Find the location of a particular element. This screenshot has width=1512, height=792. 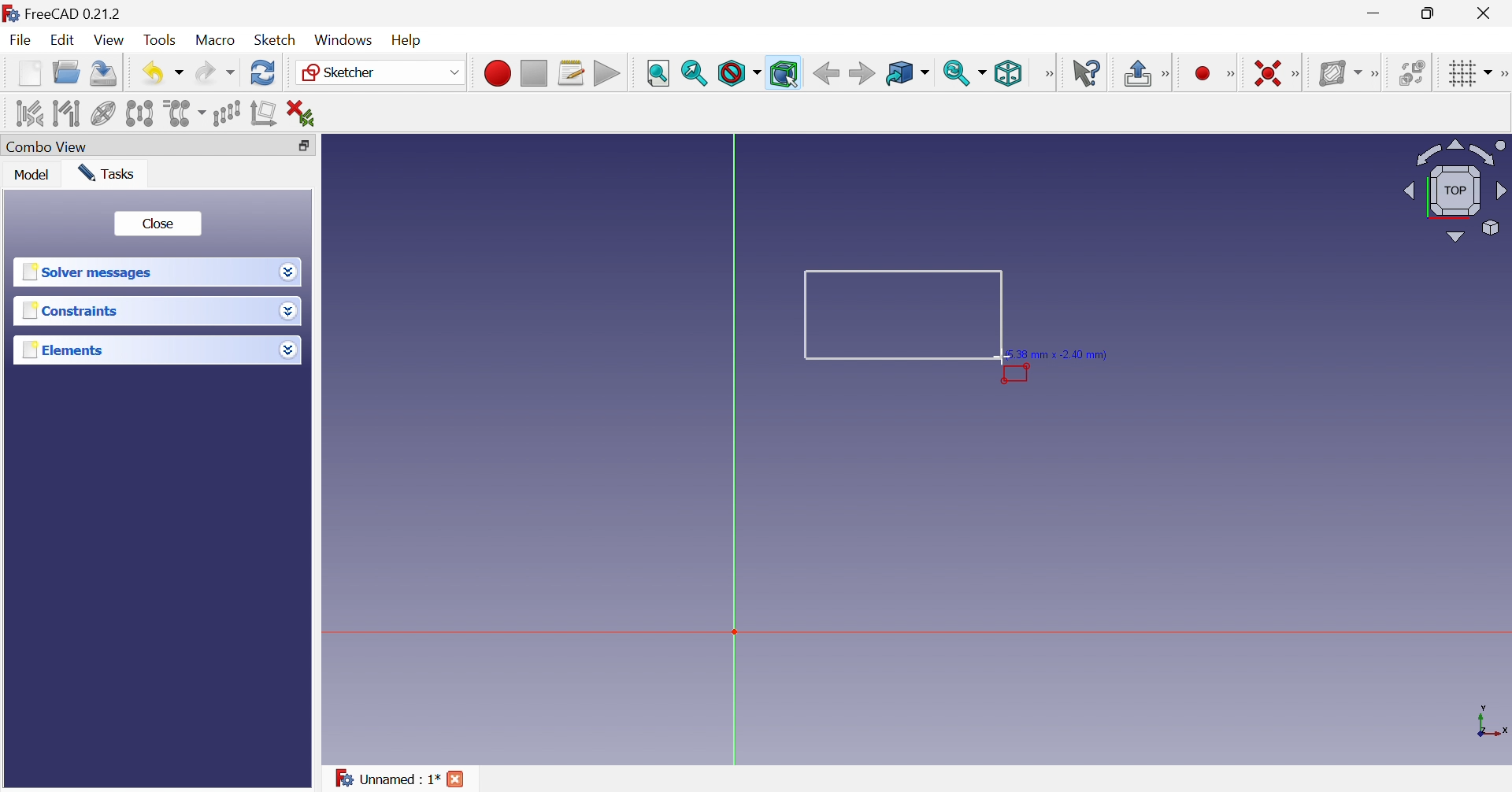

 is located at coordinates (406, 41).